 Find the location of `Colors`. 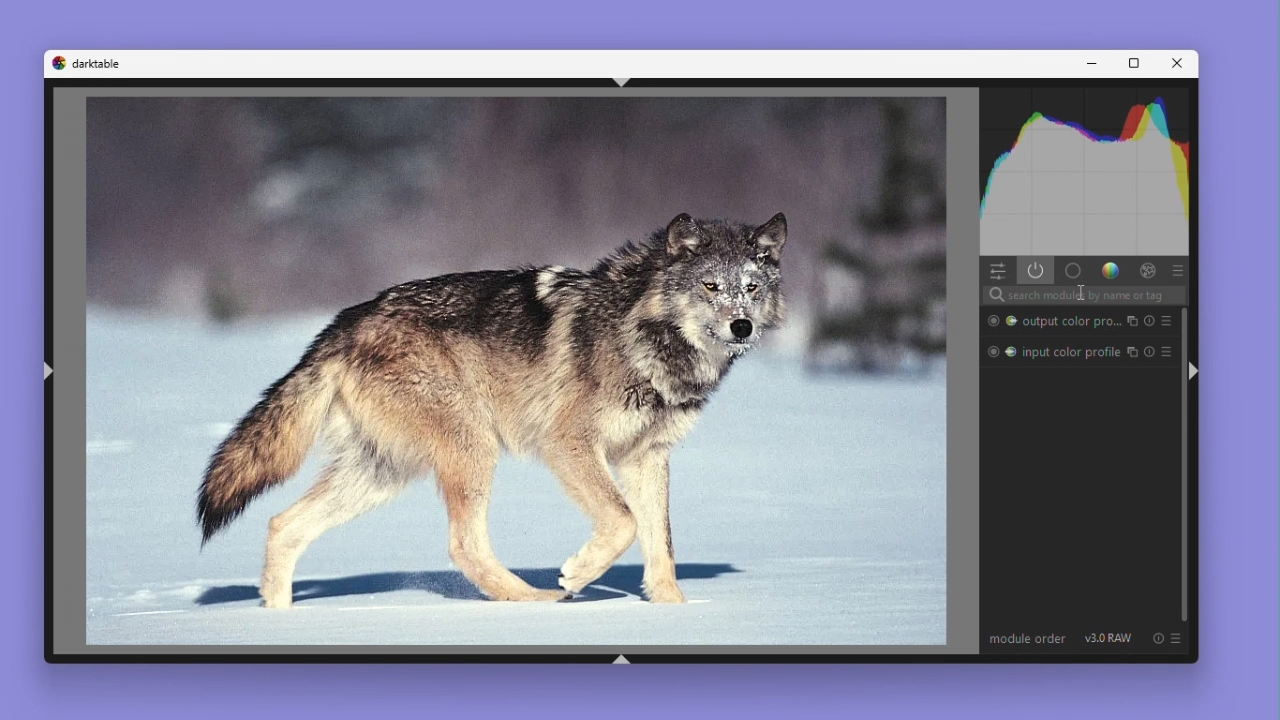

Colors is located at coordinates (1111, 270).